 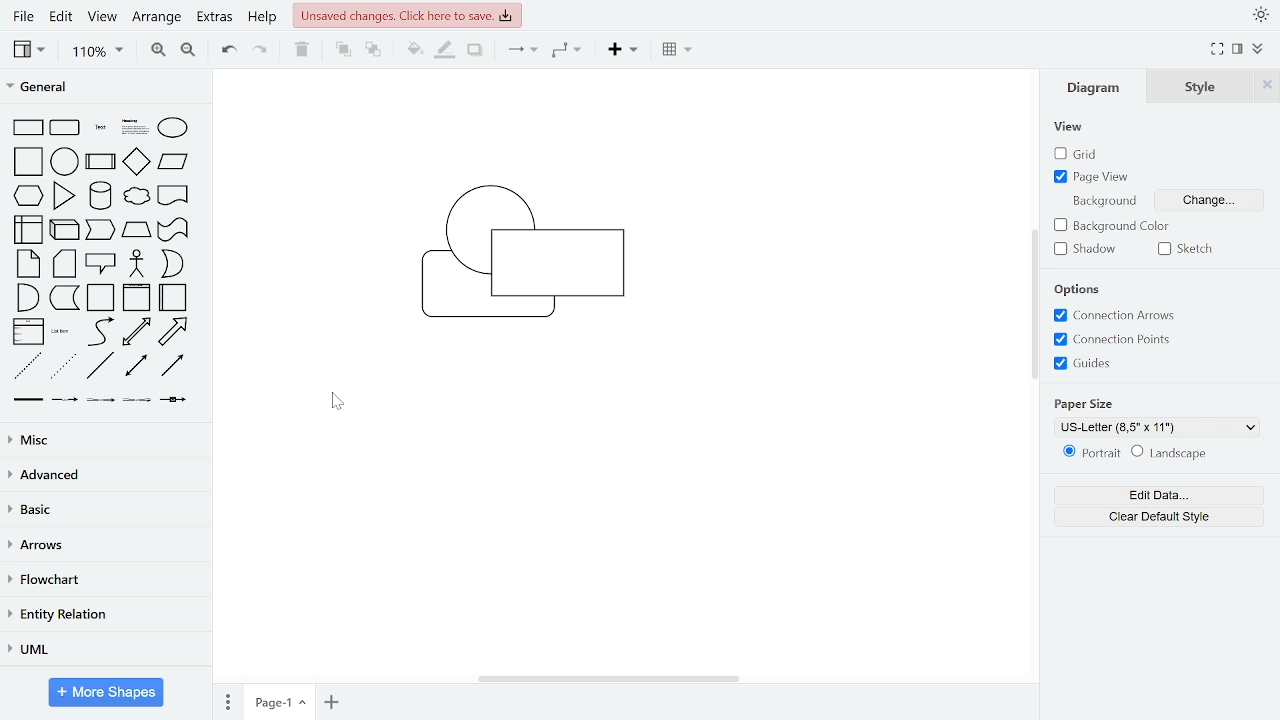 I want to click on actor, so click(x=136, y=263).